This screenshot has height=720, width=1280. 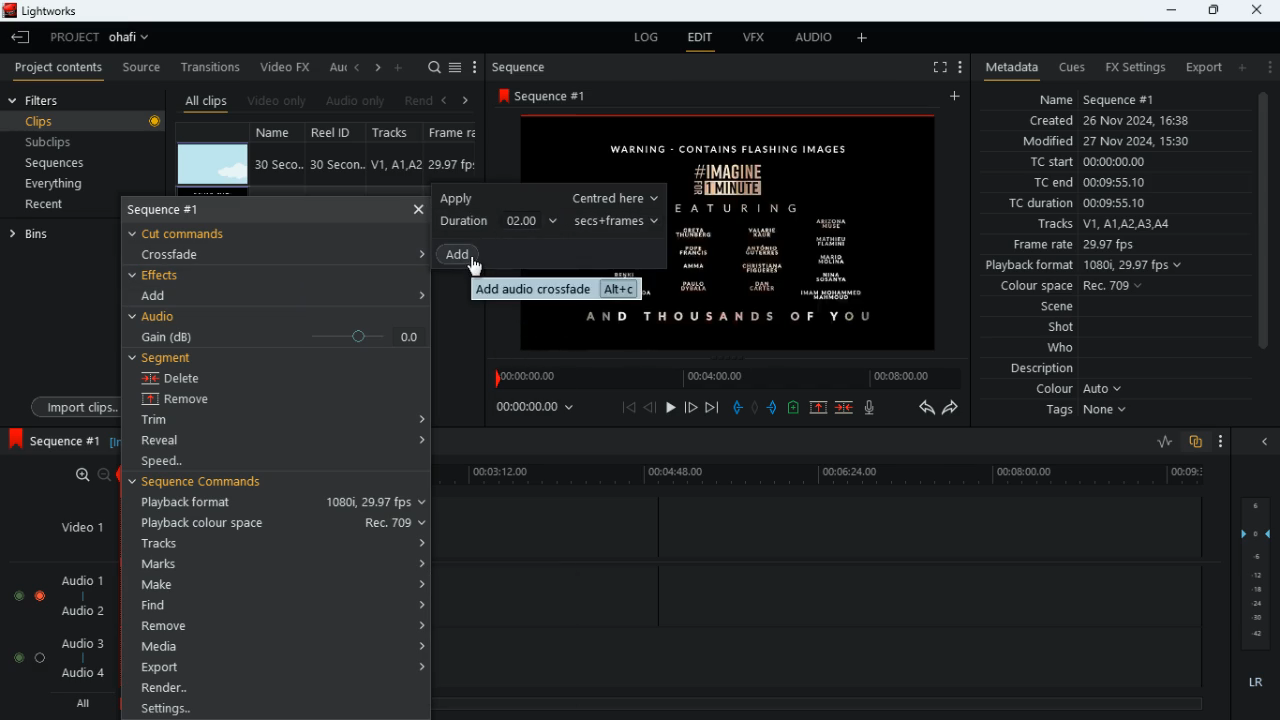 What do you see at coordinates (938, 68) in the screenshot?
I see `fullscreen` at bounding box center [938, 68].